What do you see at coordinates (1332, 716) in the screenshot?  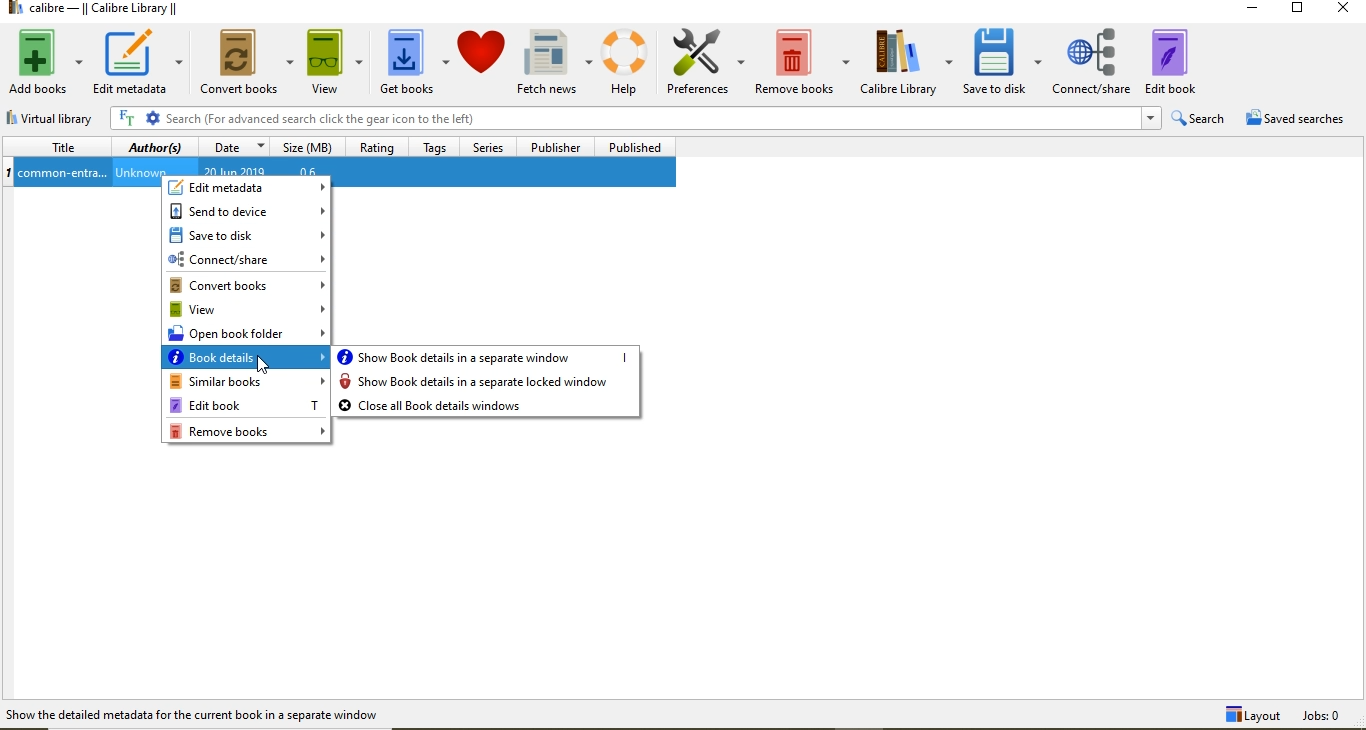 I see `Jobs: 0` at bounding box center [1332, 716].